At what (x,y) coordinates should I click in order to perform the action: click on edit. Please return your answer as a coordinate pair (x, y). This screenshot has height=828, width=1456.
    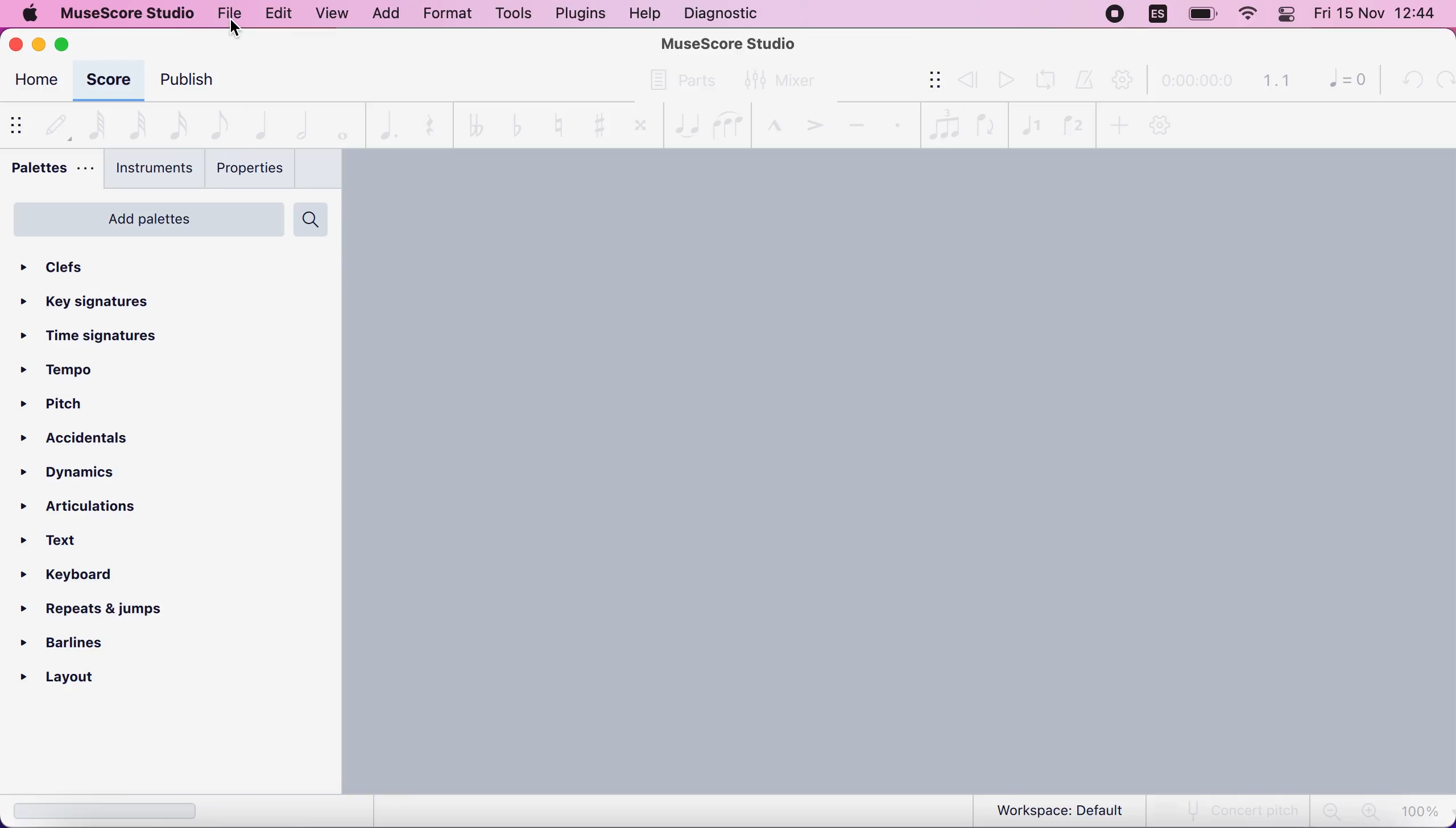
    Looking at the image, I should click on (276, 12).